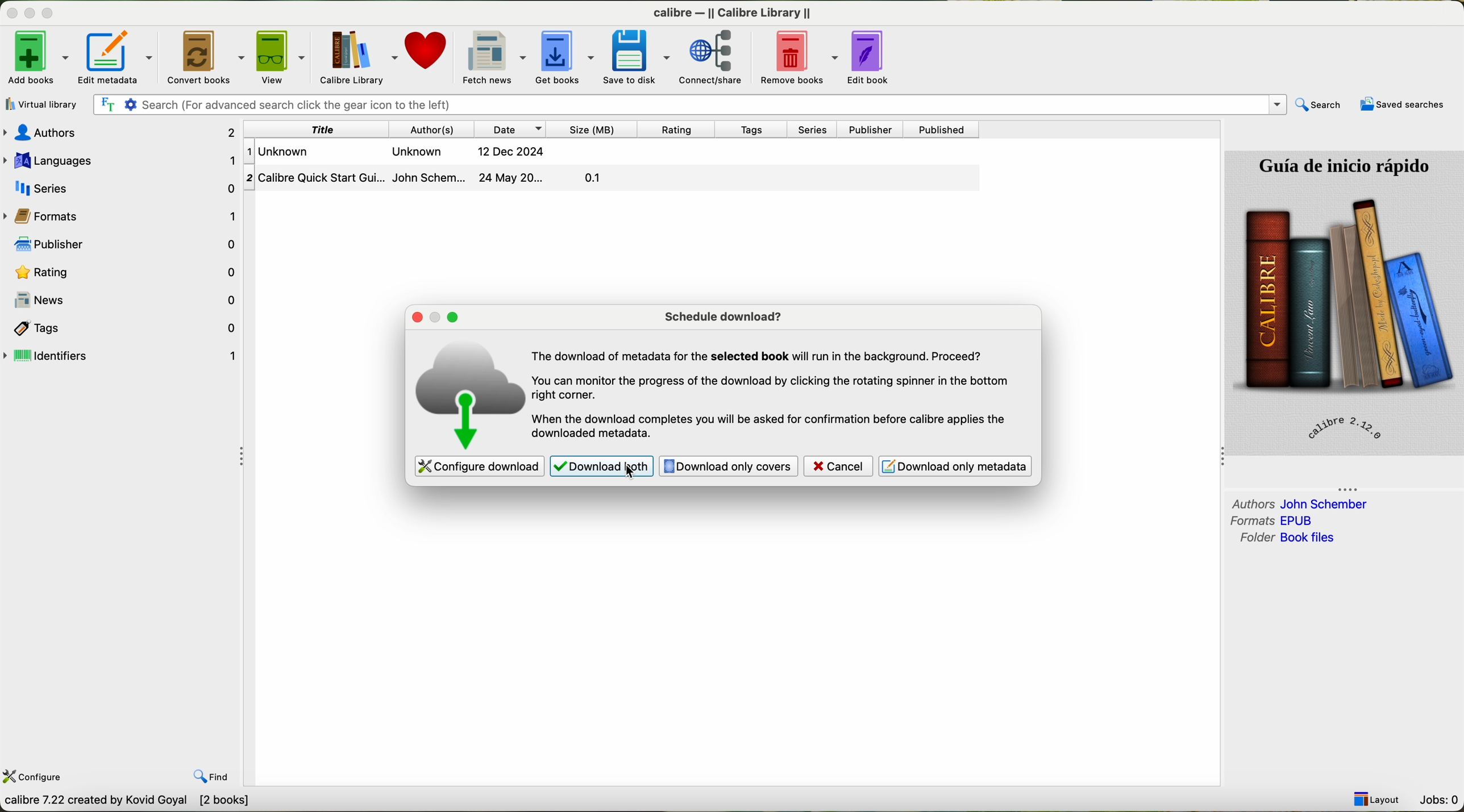 The image size is (1464, 812). Describe the element at coordinates (455, 318) in the screenshot. I see `maximize popup` at that location.